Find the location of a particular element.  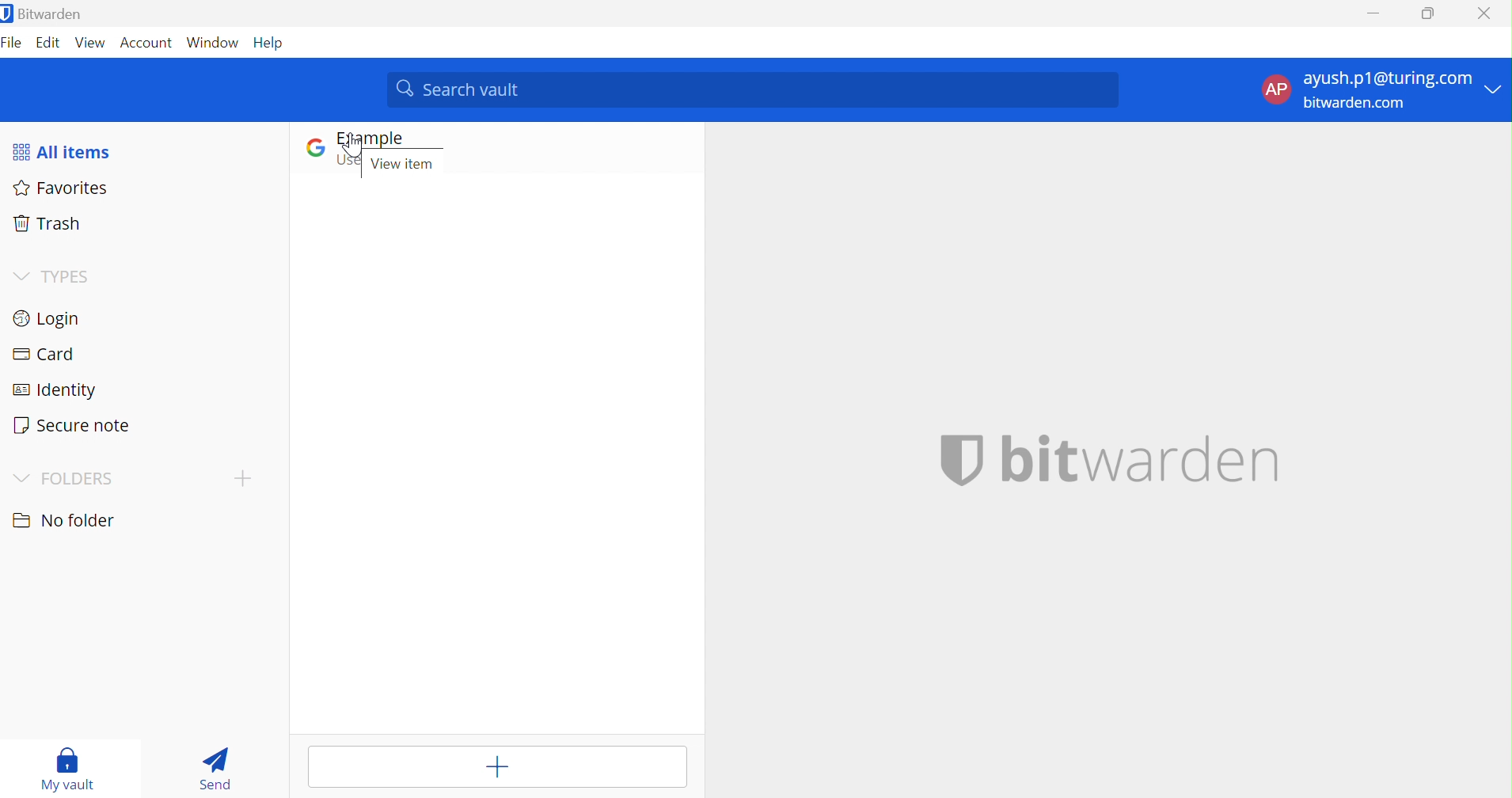

Send is located at coordinates (211, 766).